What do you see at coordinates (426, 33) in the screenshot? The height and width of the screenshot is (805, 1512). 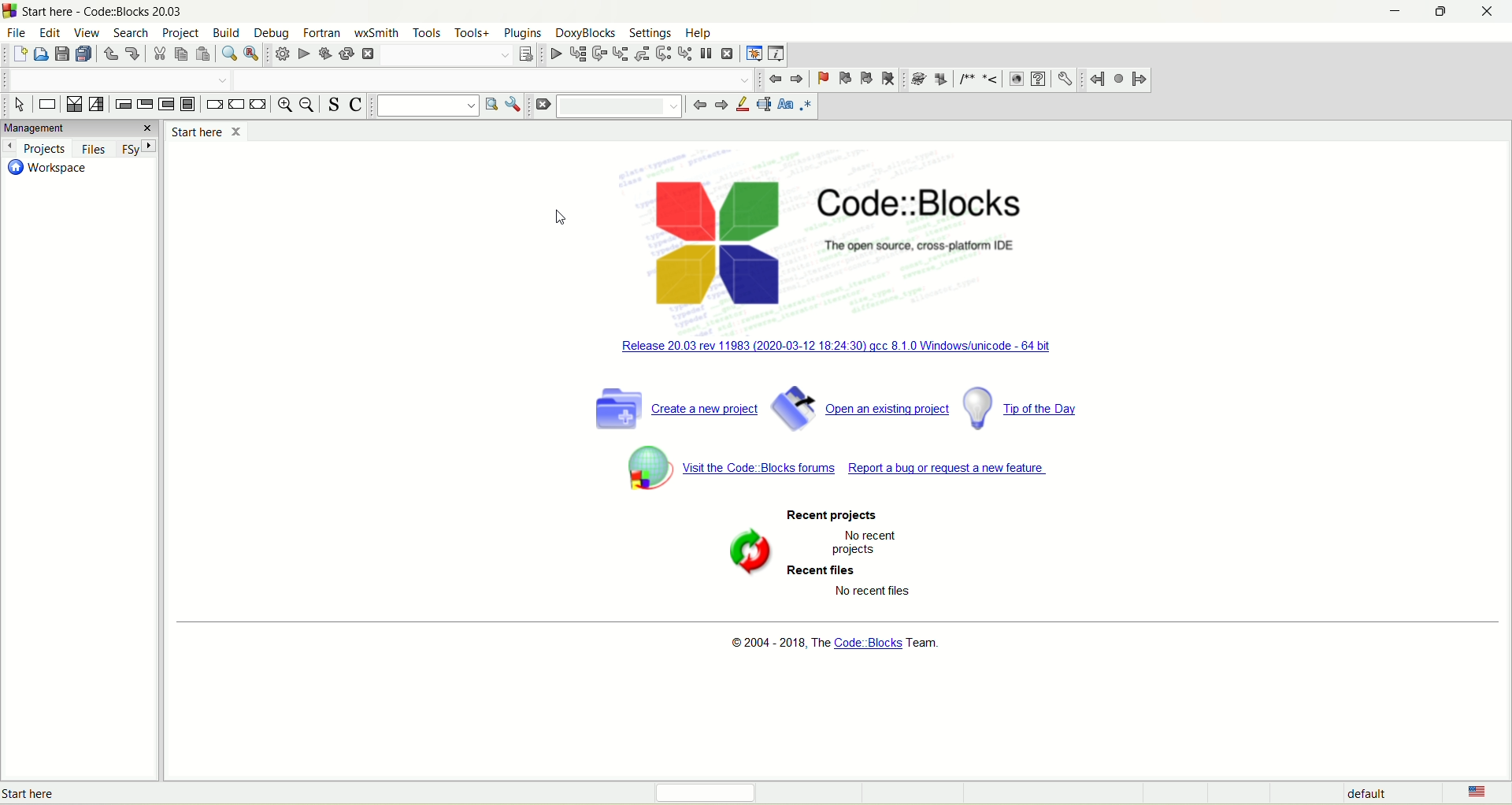 I see `tools` at bounding box center [426, 33].